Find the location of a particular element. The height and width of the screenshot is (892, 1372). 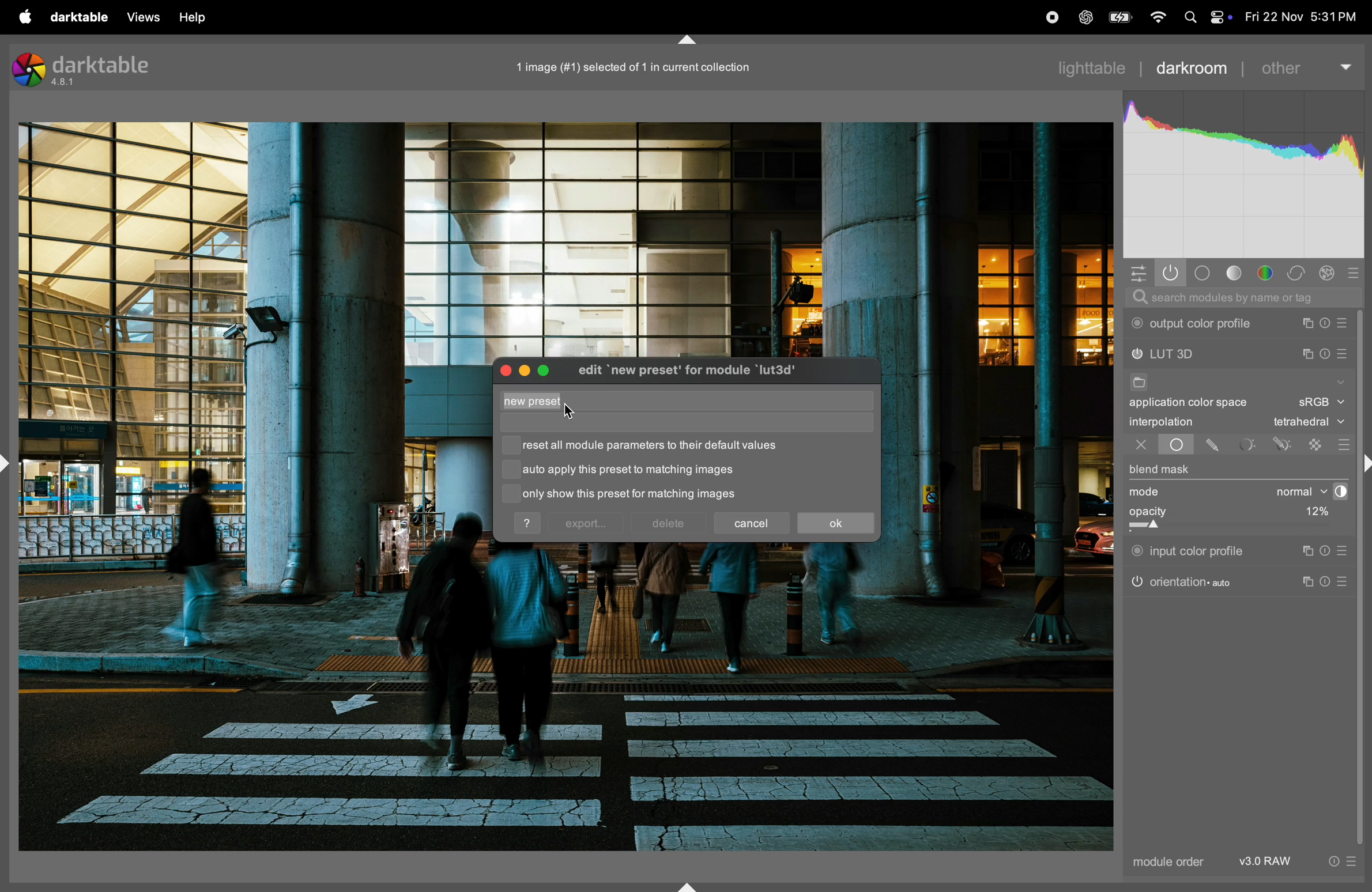

date and time is located at coordinates (1302, 17).